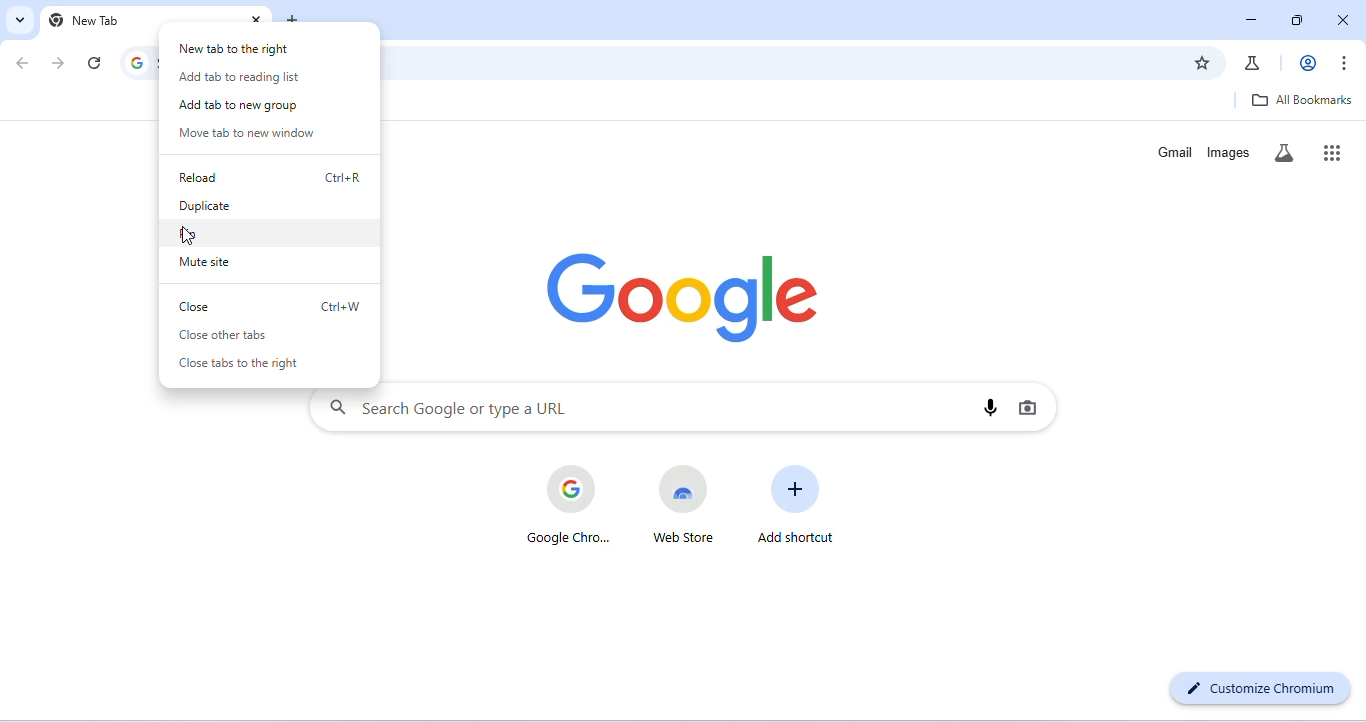  What do you see at coordinates (97, 63) in the screenshot?
I see `refresh` at bounding box center [97, 63].